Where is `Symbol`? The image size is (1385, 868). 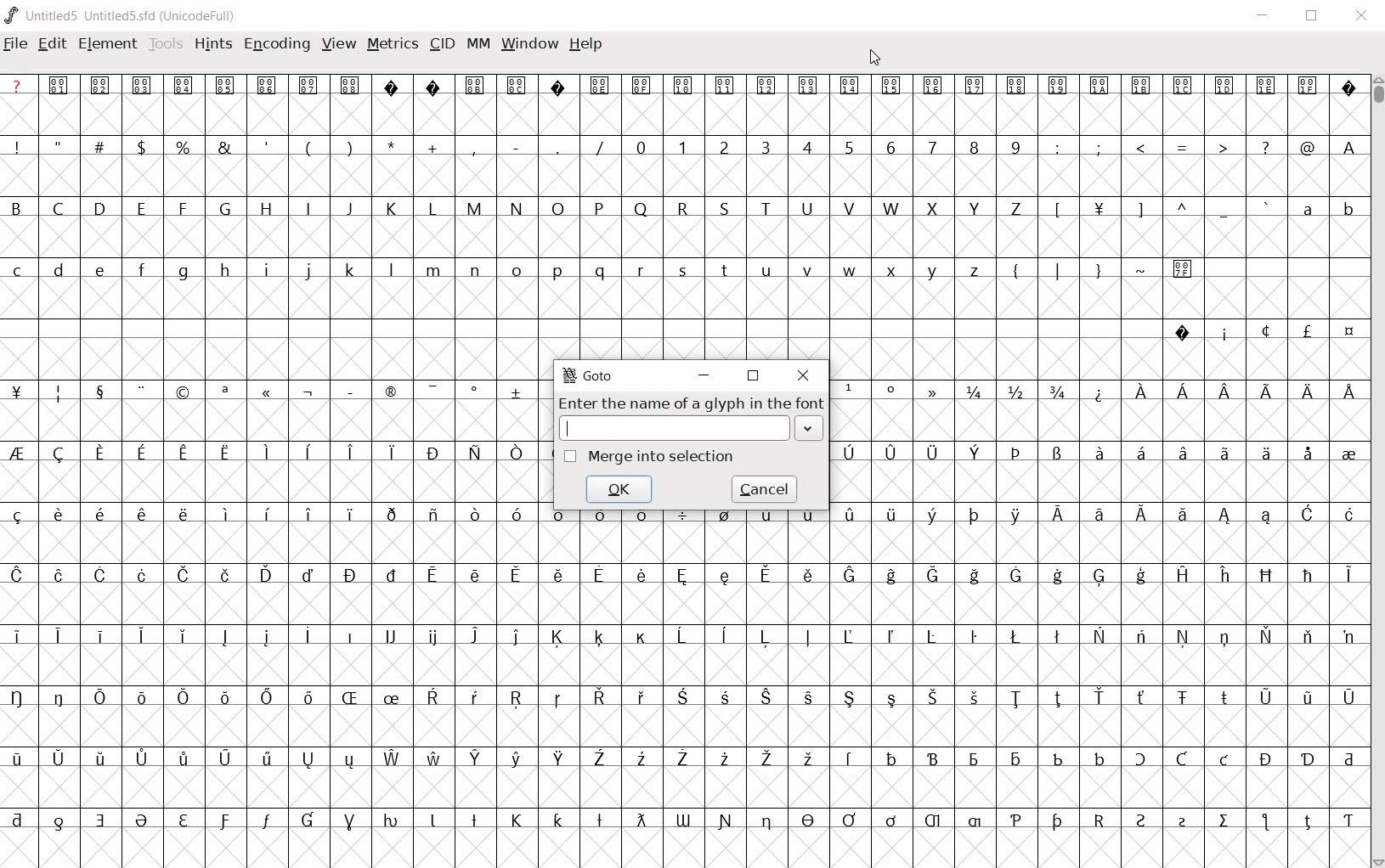
Symbol is located at coordinates (140, 635).